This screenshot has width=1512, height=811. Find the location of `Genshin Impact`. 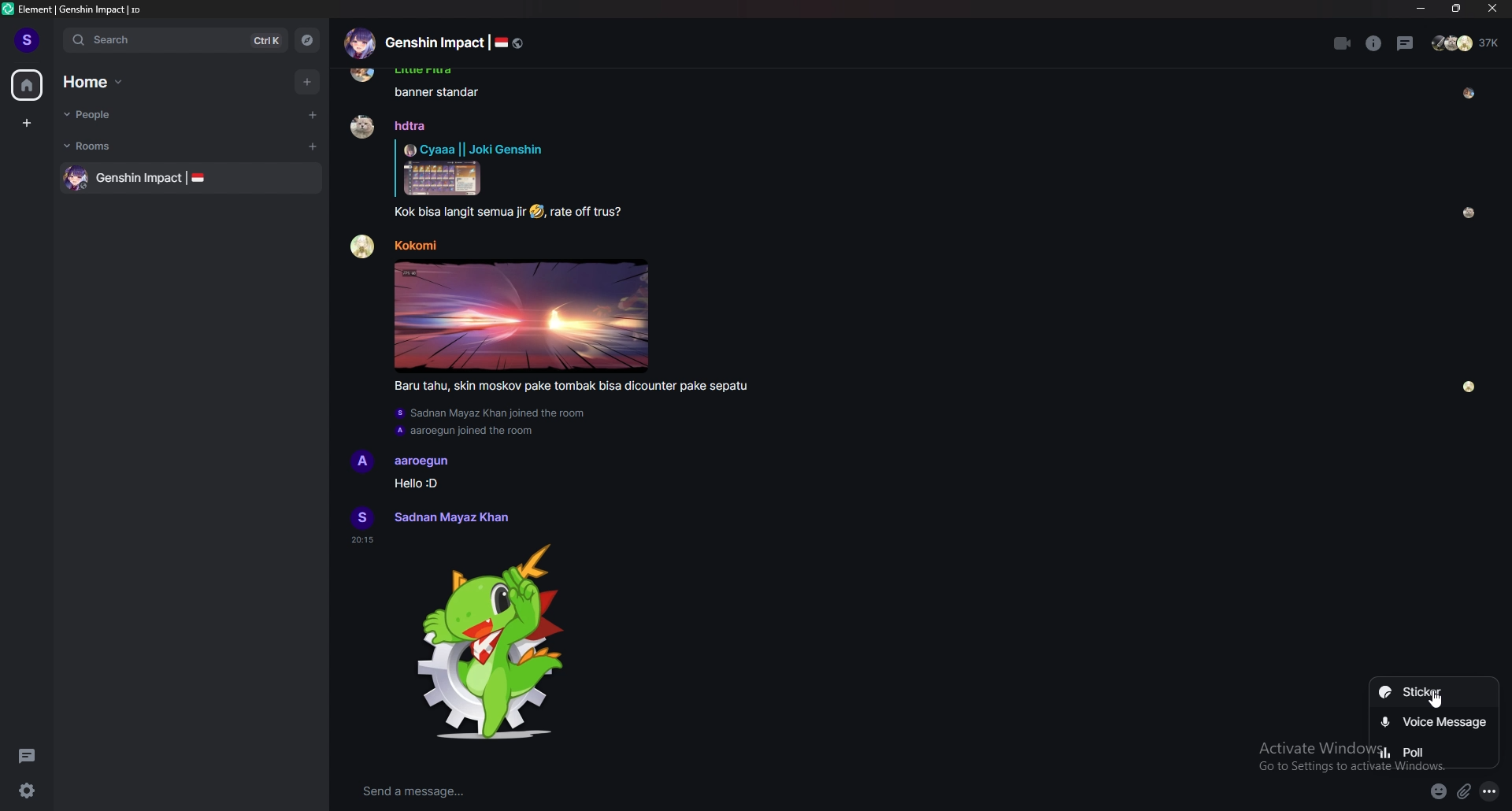

Genshin Impact is located at coordinates (434, 43).